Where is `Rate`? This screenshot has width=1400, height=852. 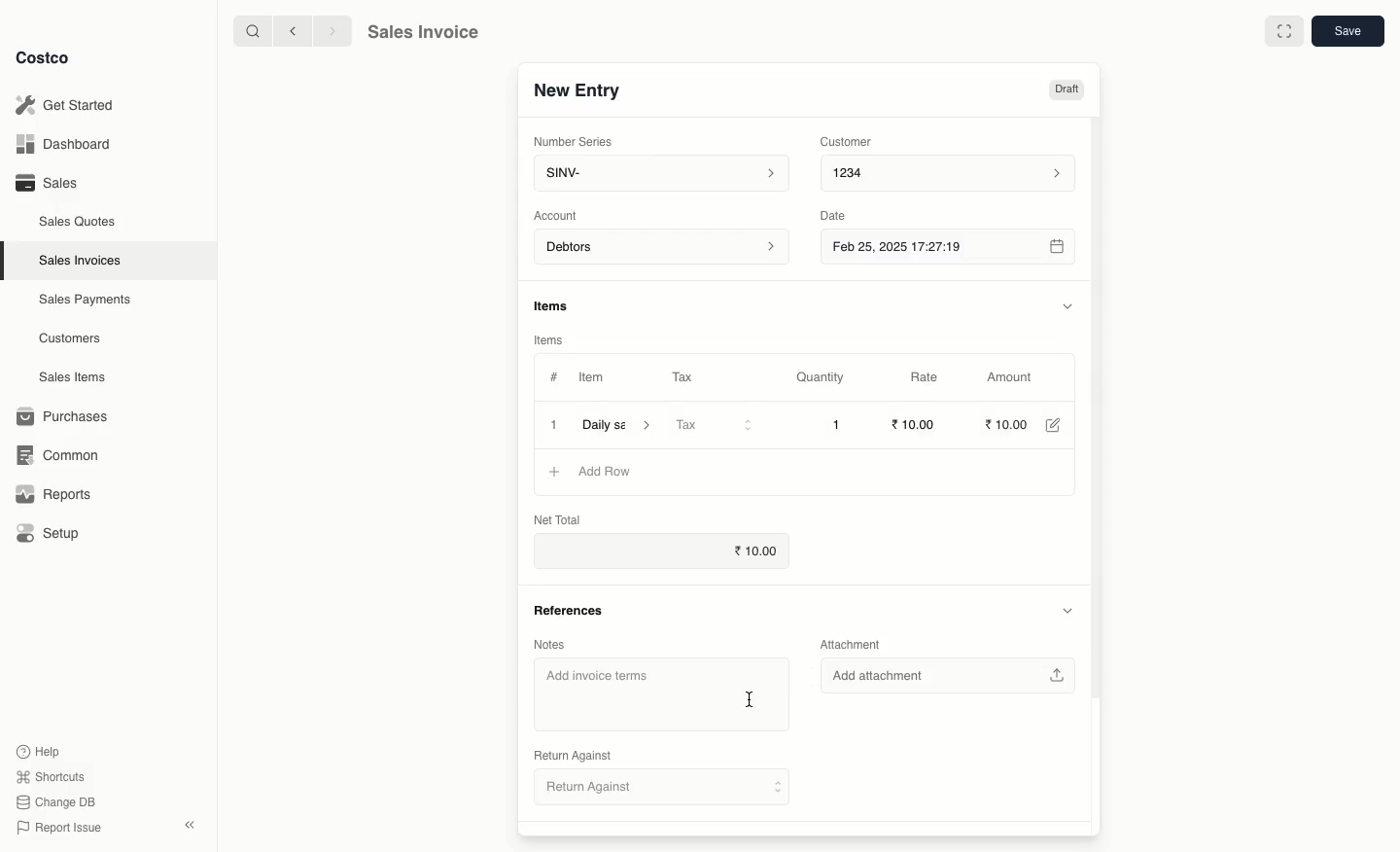
Rate is located at coordinates (936, 376).